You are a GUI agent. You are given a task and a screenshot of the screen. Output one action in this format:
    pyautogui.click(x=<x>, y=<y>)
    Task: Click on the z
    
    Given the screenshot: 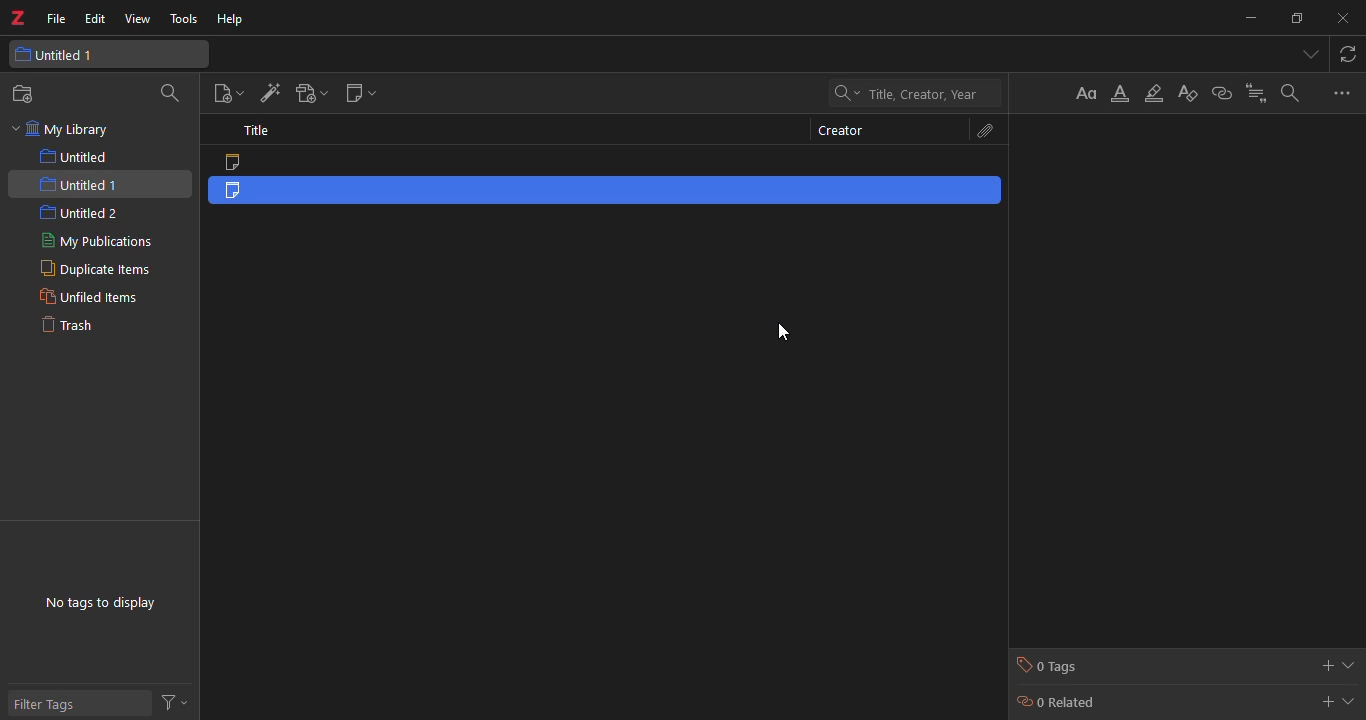 What is the action you would take?
    pyautogui.click(x=15, y=20)
    